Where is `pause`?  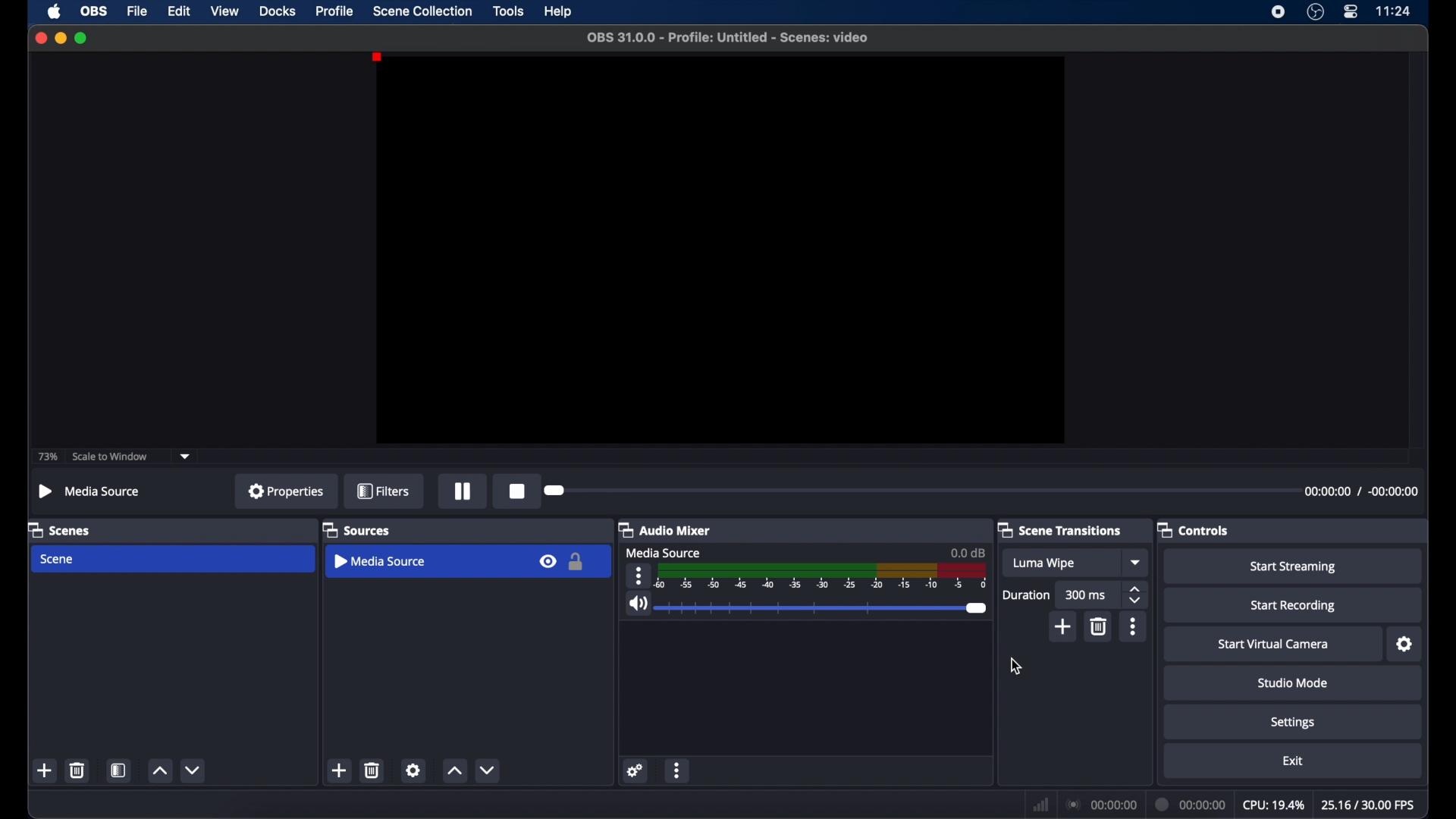
pause is located at coordinates (463, 491).